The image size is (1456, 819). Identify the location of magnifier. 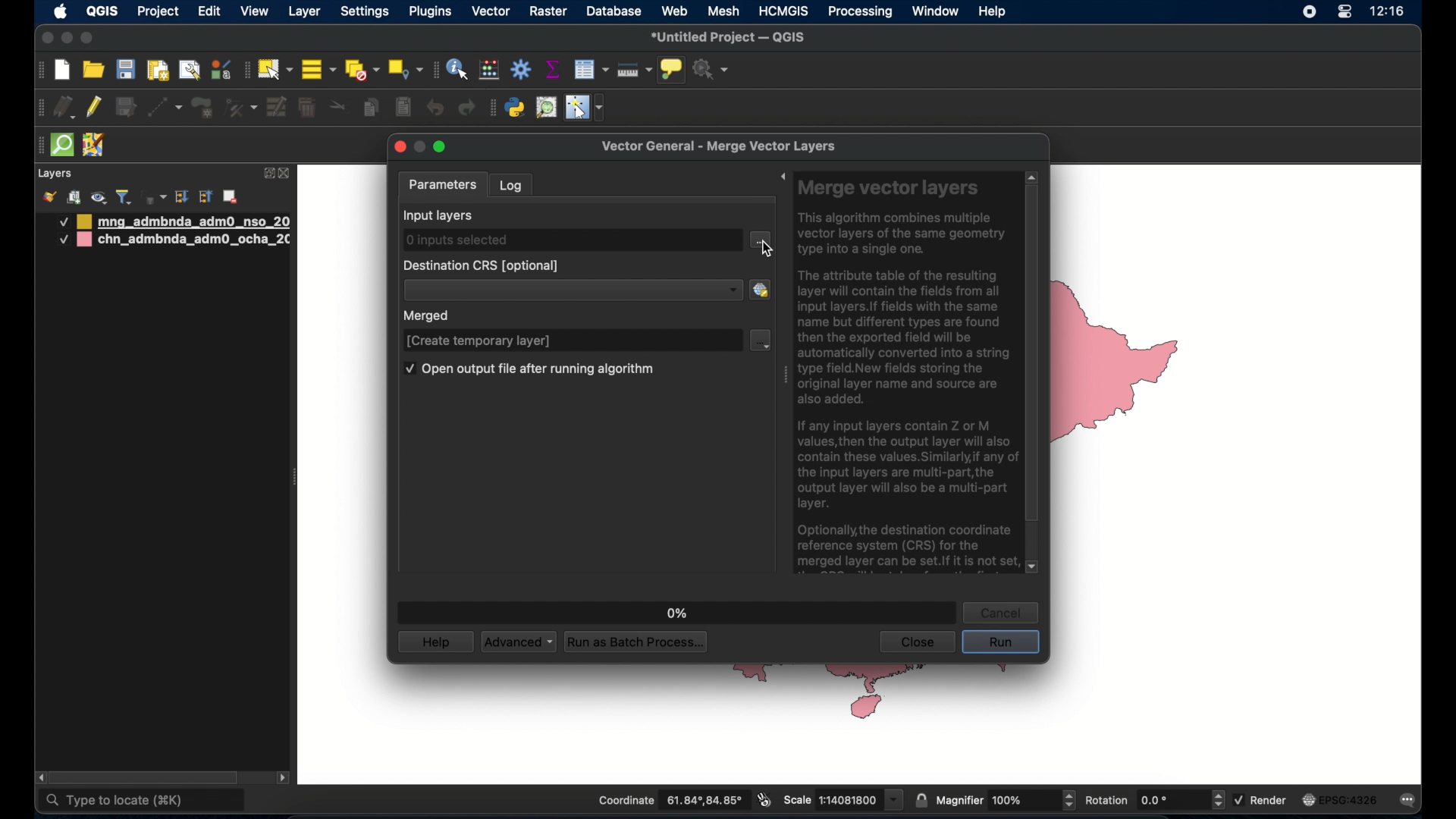
(1006, 800).